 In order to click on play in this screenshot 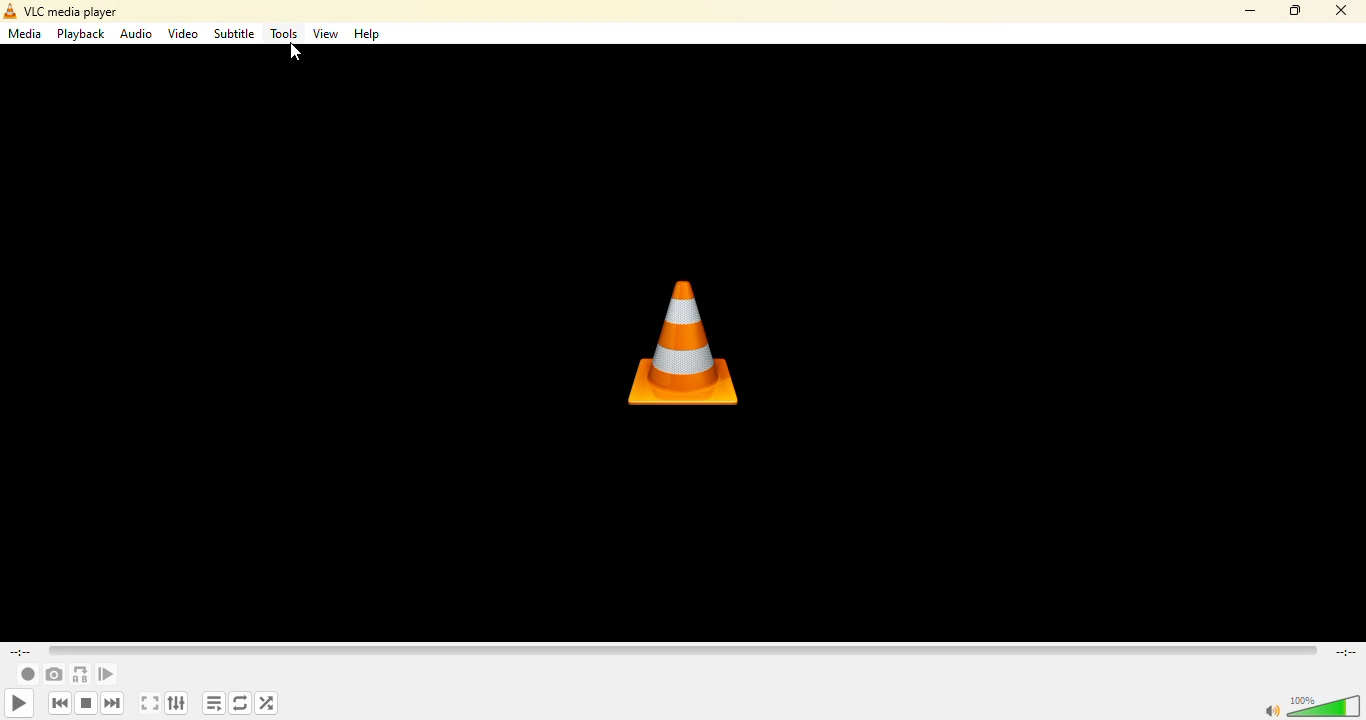, I will do `click(19, 704)`.